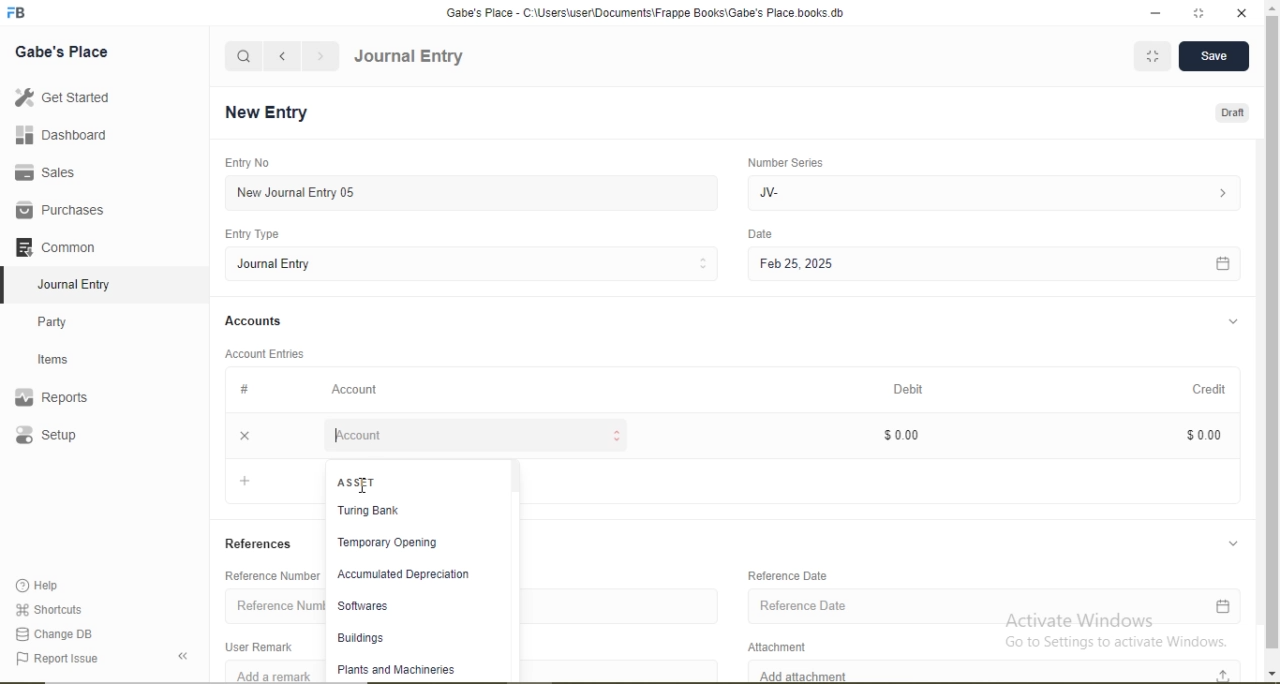 The image size is (1280, 684). What do you see at coordinates (1218, 57) in the screenshot?
I see `Save` at bounding box center [1218, 57].